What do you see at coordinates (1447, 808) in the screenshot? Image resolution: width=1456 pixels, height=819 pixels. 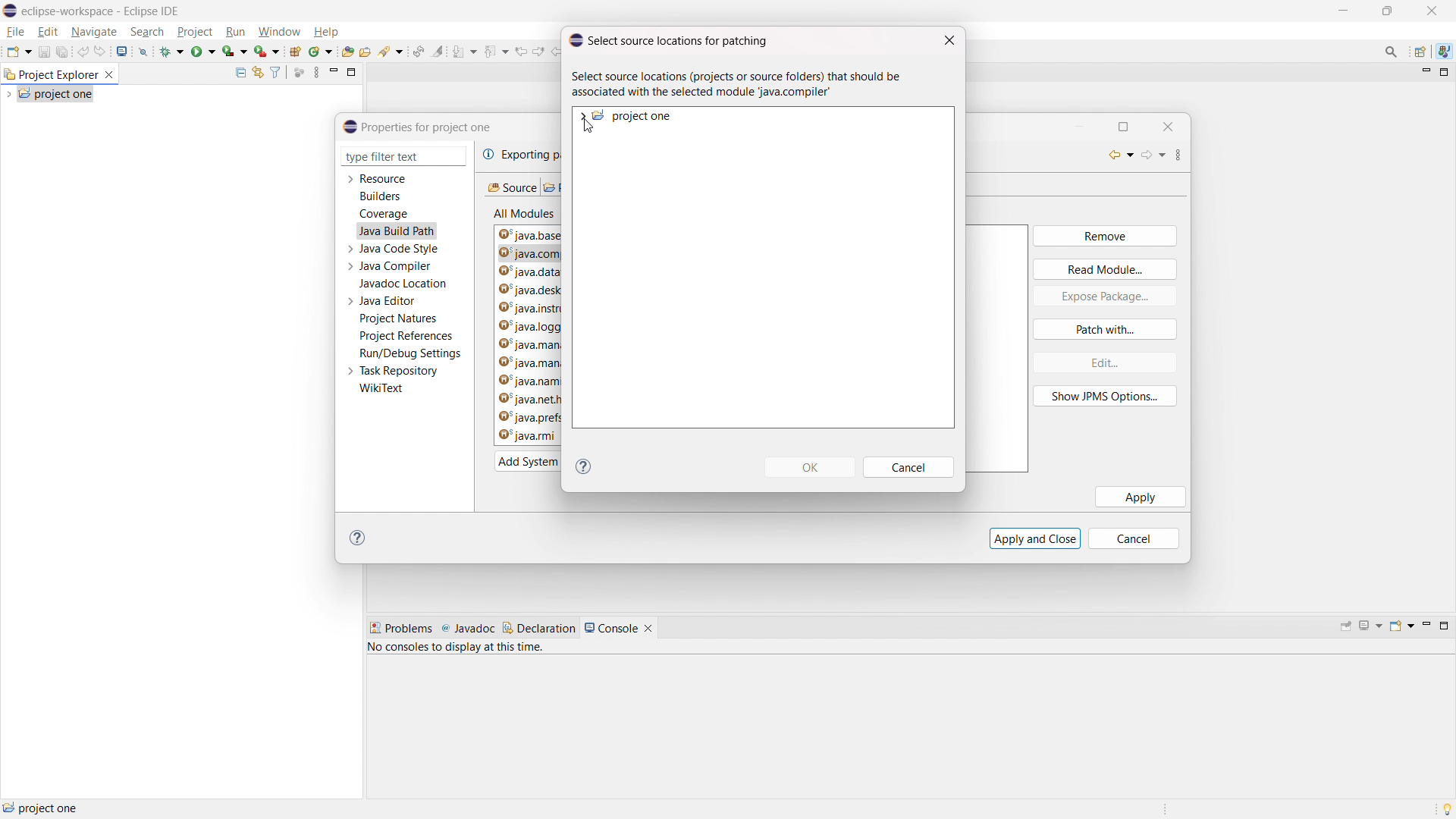 I see `tip of the day` at bounding box center [1447, 808].